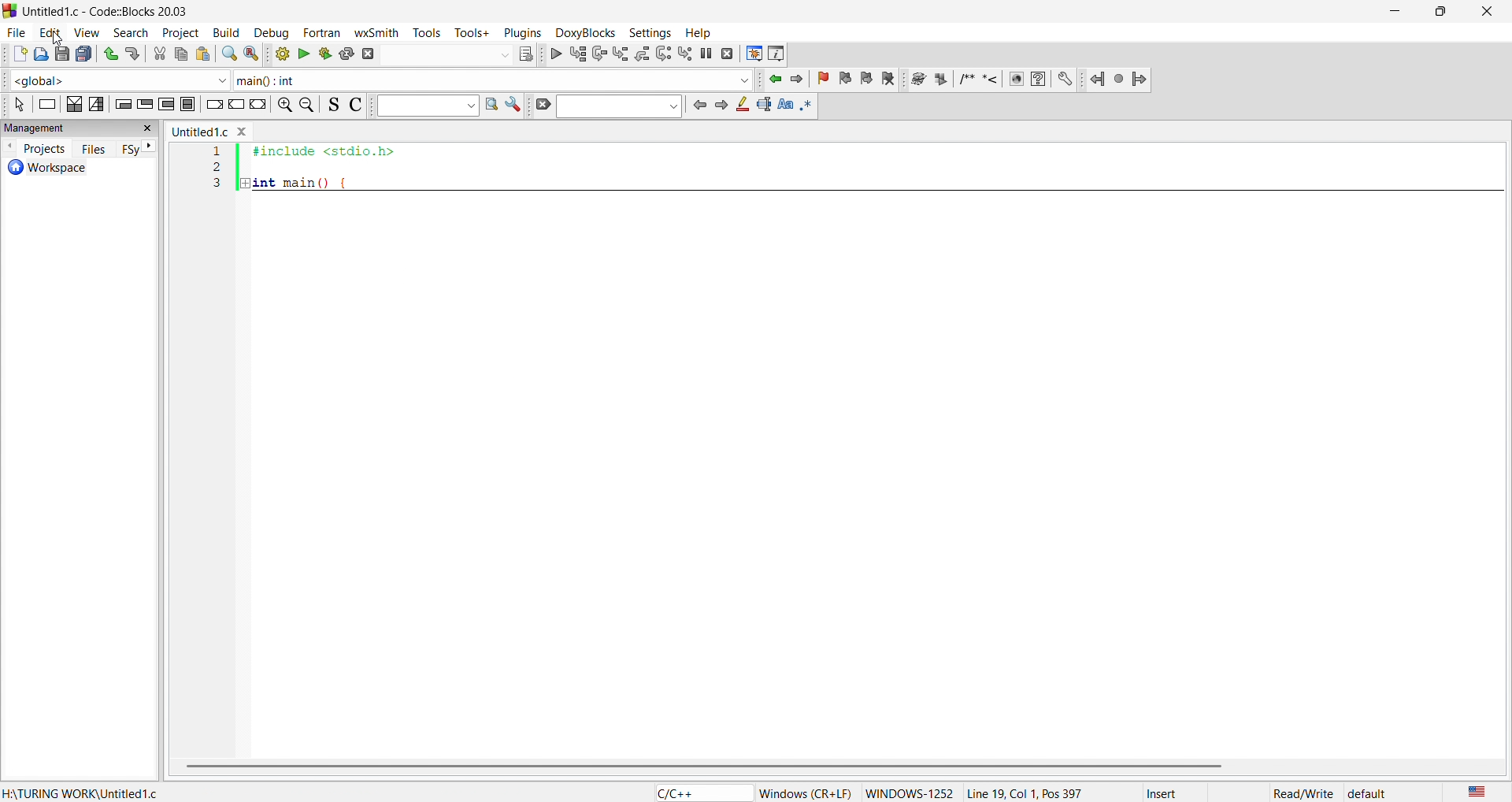  I want to click on toggle bookmark, so click(826, 79).